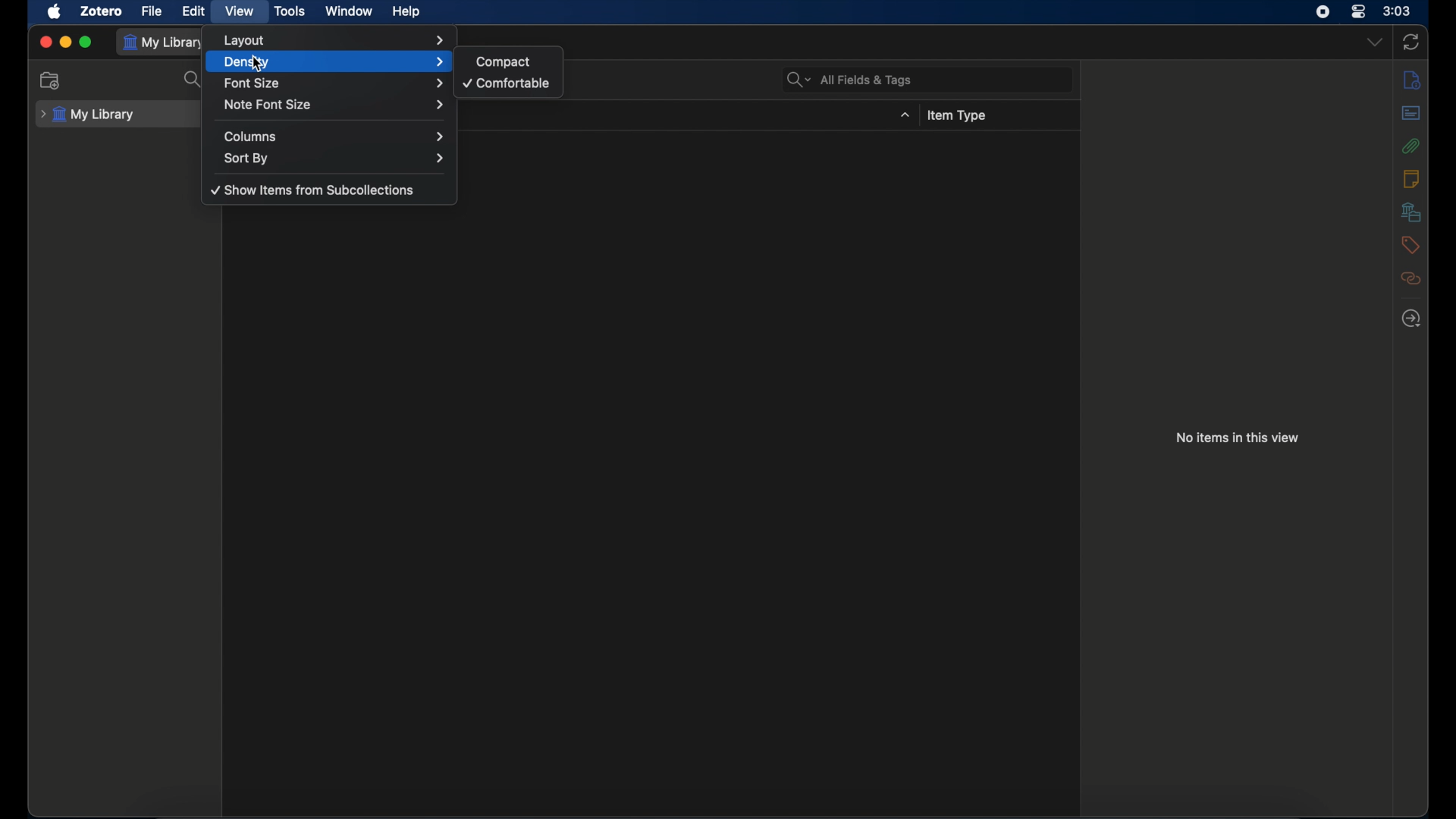 This screenshot has width=1456, height=819. Describe the element at coordinates (46, 42) in the screenshot. I see `close` at that location.